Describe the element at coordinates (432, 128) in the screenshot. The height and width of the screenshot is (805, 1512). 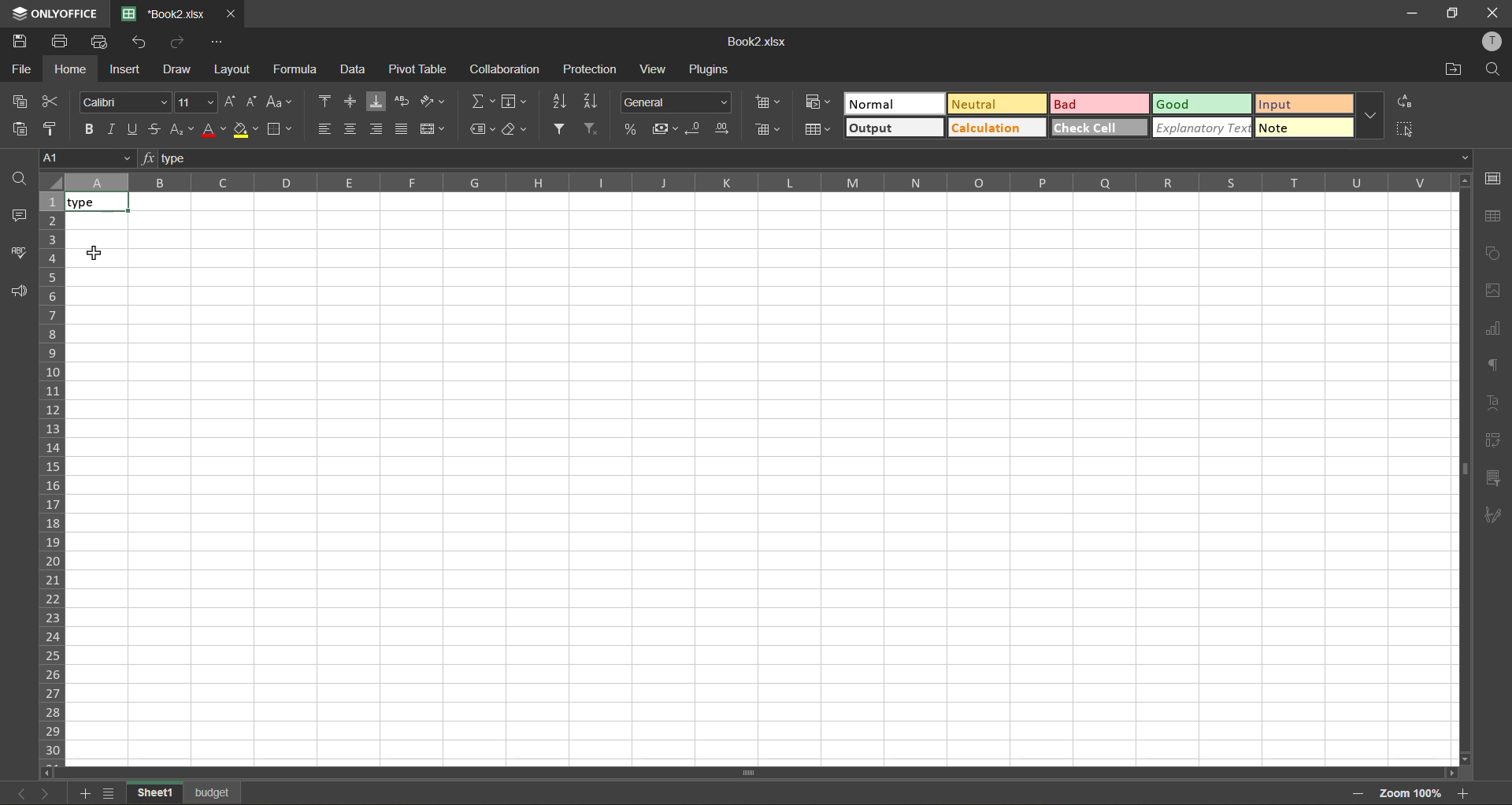
I see `merge and center` at that location.